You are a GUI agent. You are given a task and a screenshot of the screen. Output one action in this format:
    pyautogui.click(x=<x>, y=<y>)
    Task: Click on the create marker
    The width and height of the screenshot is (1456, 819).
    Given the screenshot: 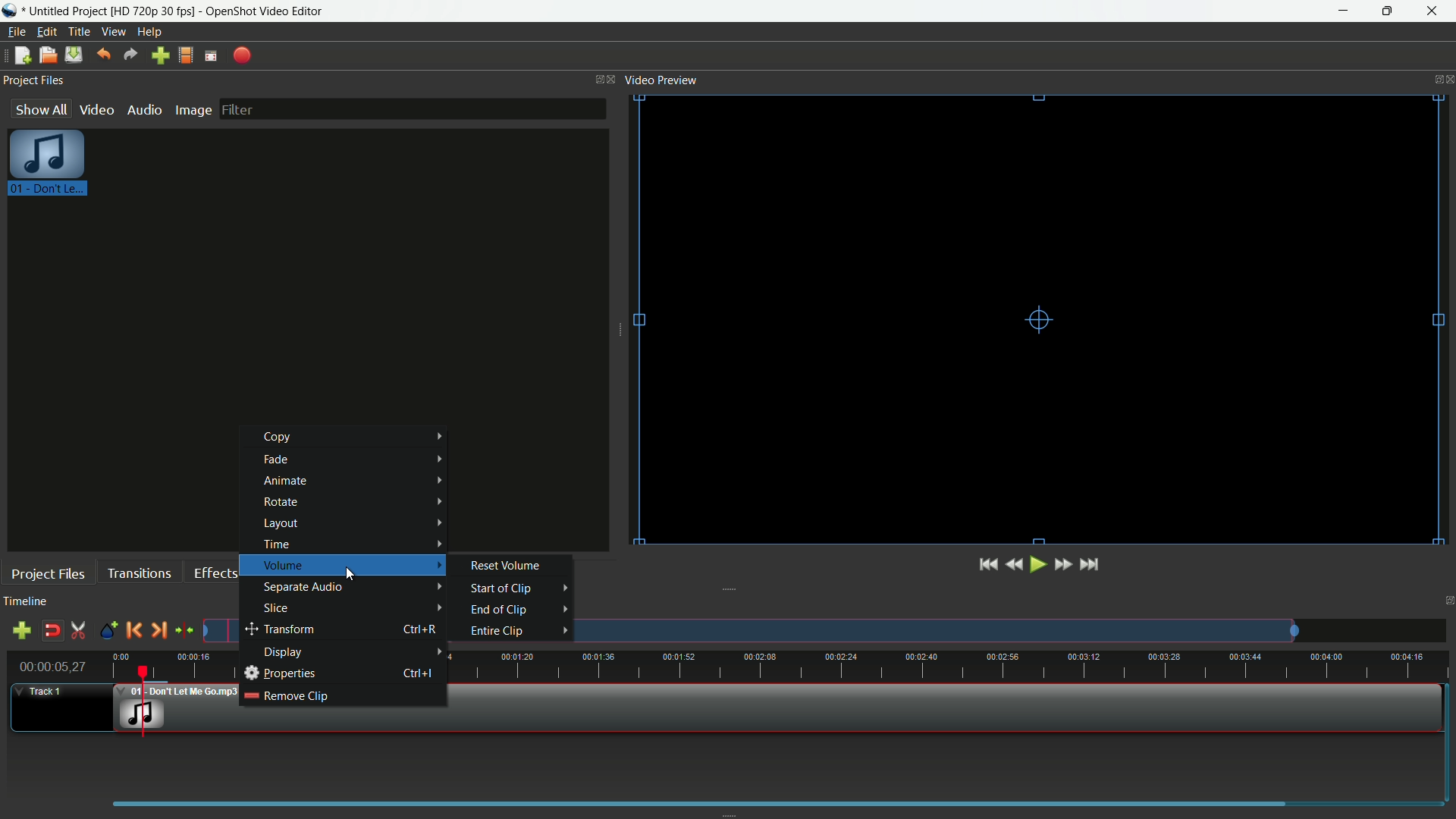 What is the action you would take?
    pyautogui.click(x=106, y=631)
    